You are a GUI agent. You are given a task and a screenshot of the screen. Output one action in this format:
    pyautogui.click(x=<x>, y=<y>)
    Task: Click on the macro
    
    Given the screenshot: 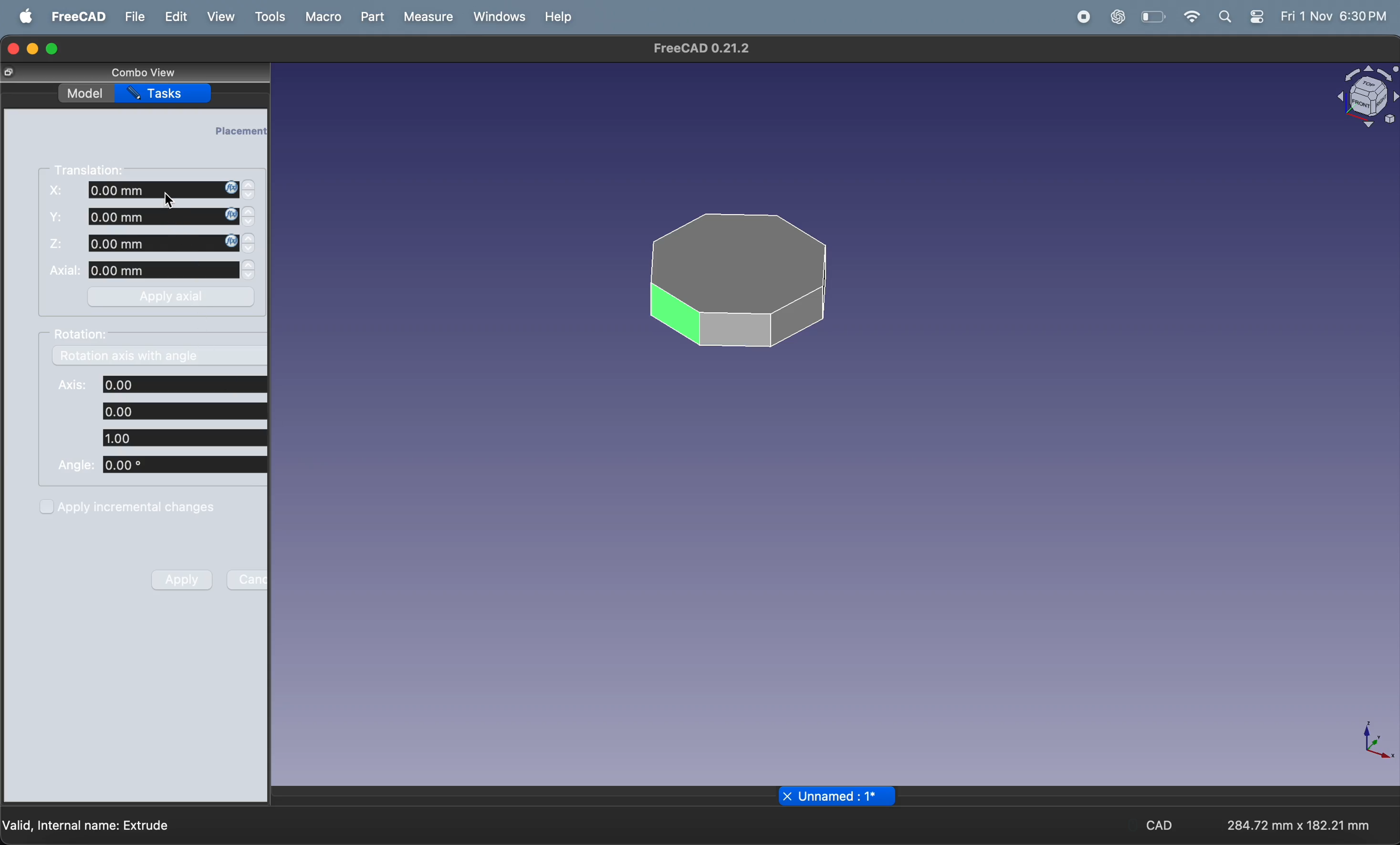 What is the action you would take?
    pyautogui.click(x=320, y=16)
    